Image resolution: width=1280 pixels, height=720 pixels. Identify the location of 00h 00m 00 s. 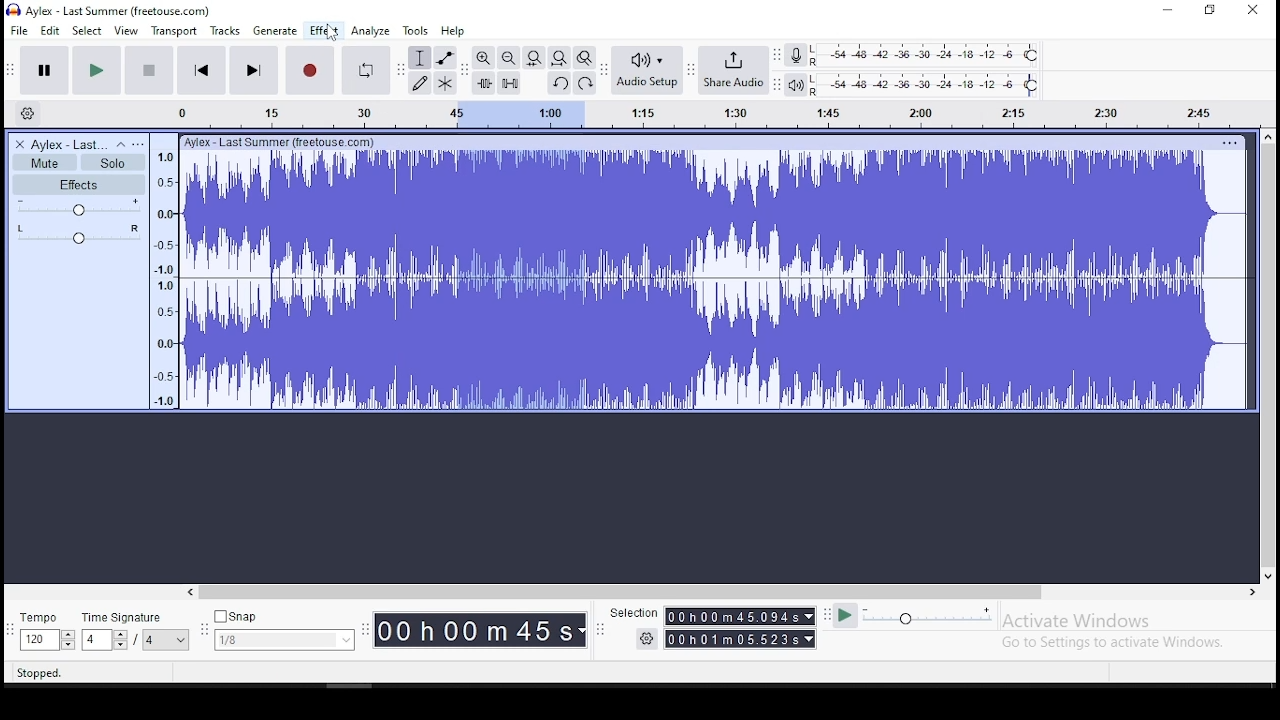
(477, 628).